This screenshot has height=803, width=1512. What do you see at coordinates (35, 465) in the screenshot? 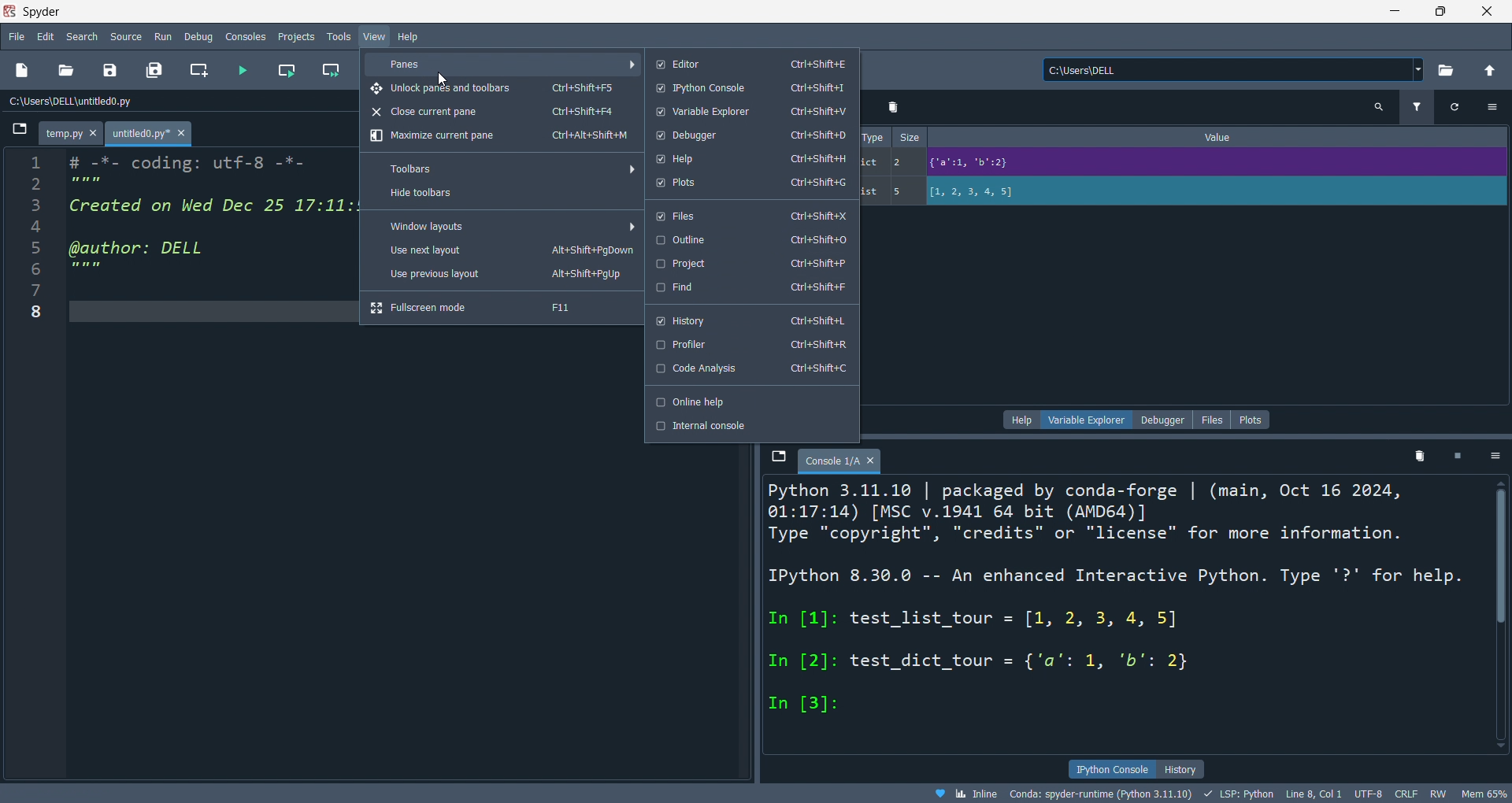
I see `line number - 1 2 3 4 5 6 7 8` at bounding box center [35, 465].